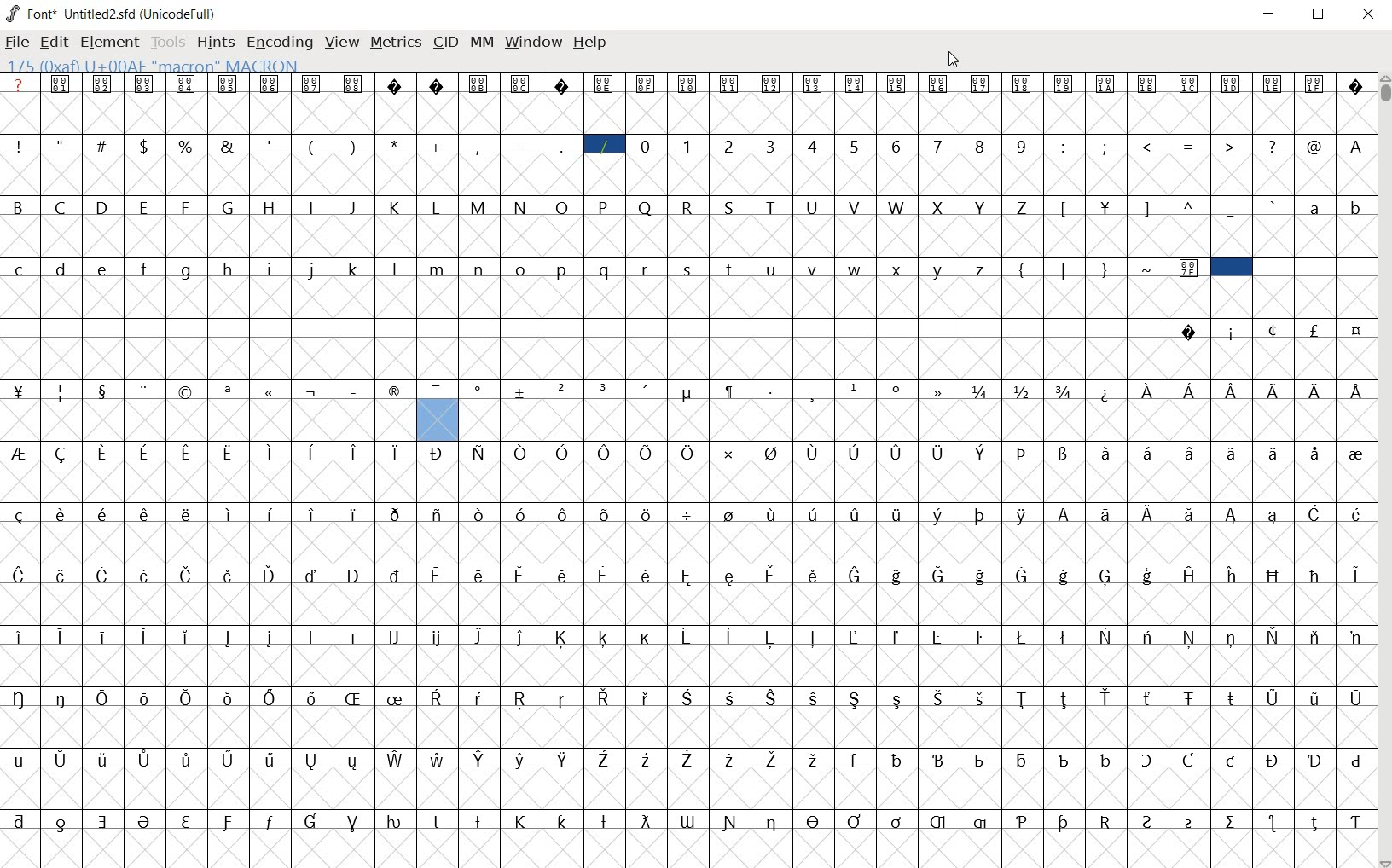  What do you see at coordinates (106, 697) in the screenshot?
I see `Symbol` at bounding box center [106, 697].